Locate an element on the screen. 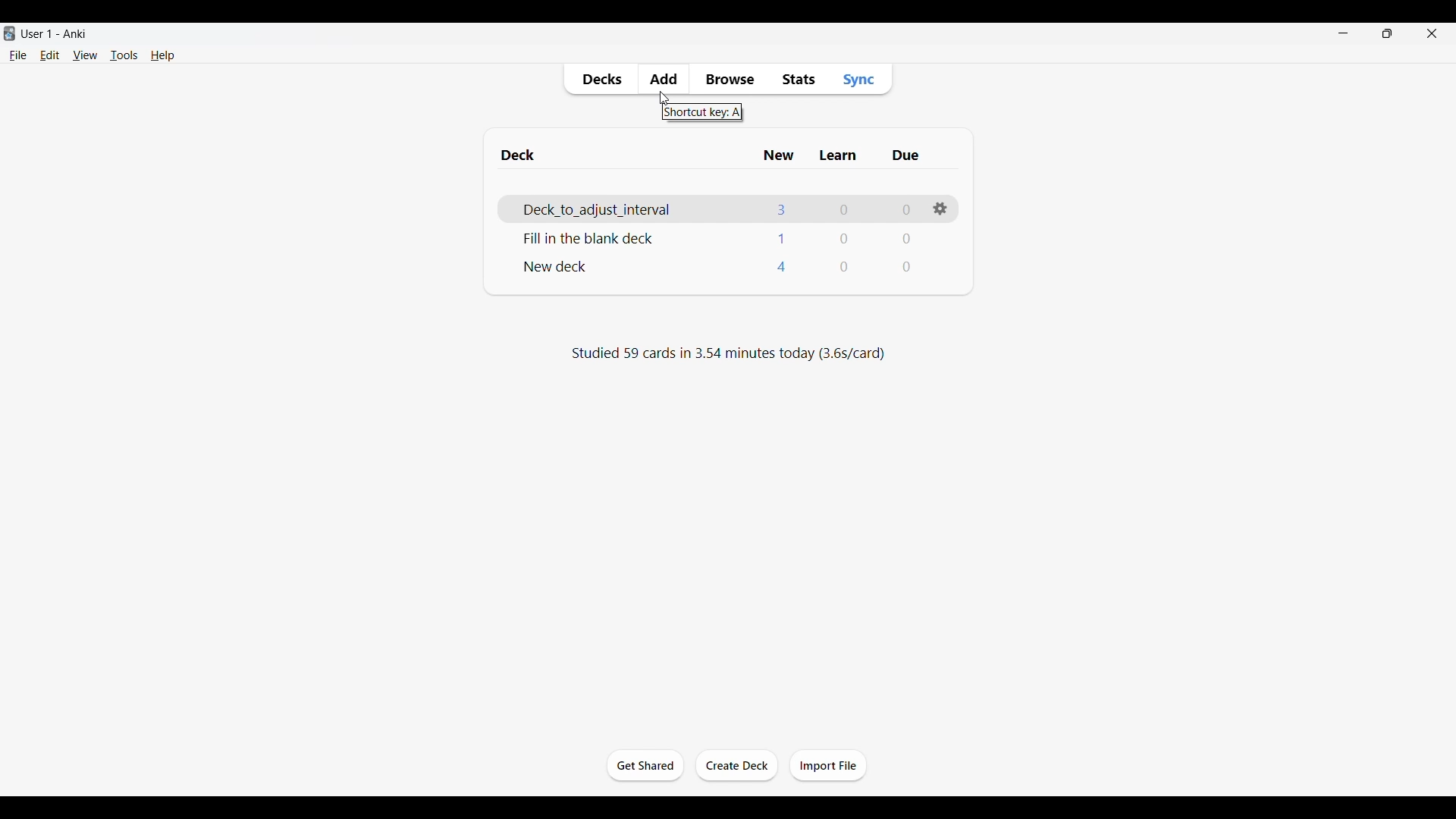 The height and width of the screenshot is (819, 1456). Deck is located at coordinates (632, 211).